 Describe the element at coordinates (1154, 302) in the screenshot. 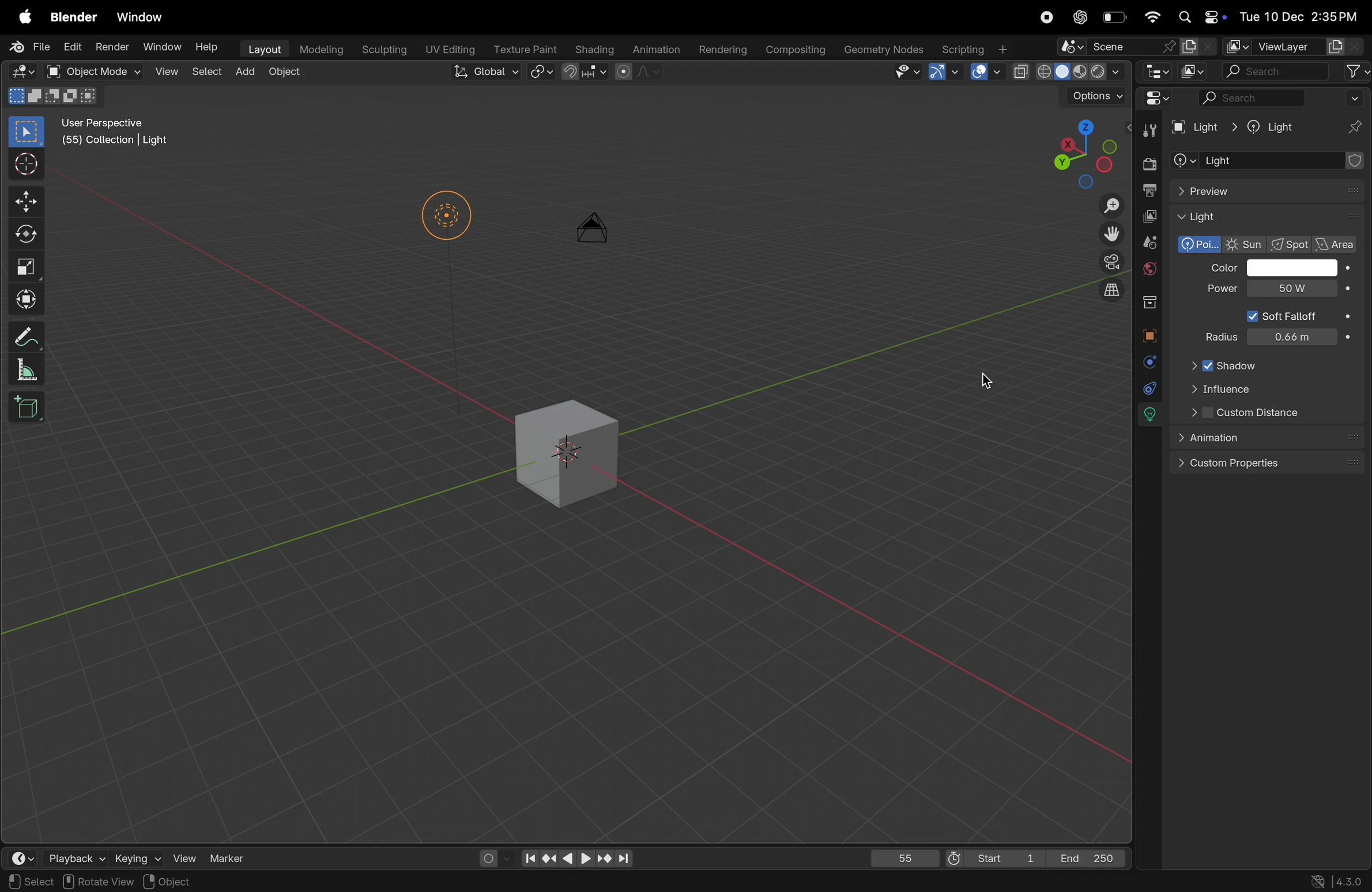

I see `collection` at that location.